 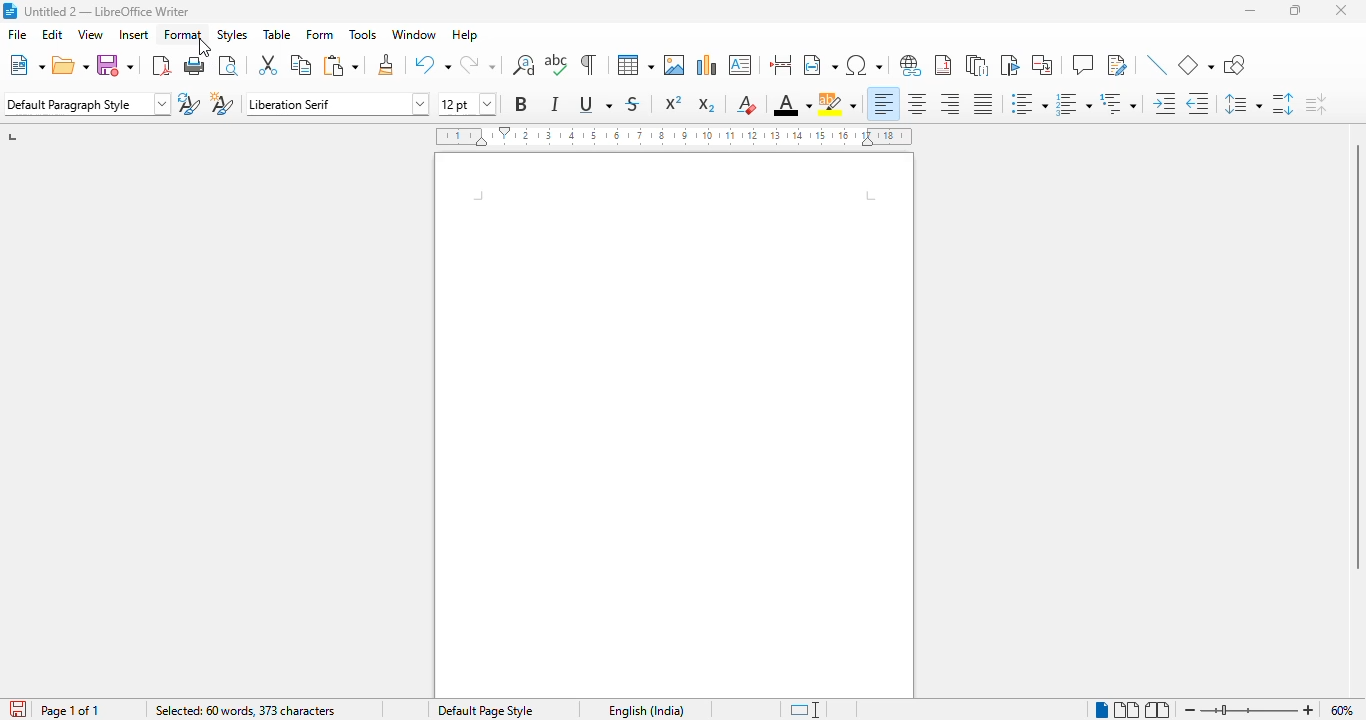 I want to click on font size, so click(x=466, y=104).